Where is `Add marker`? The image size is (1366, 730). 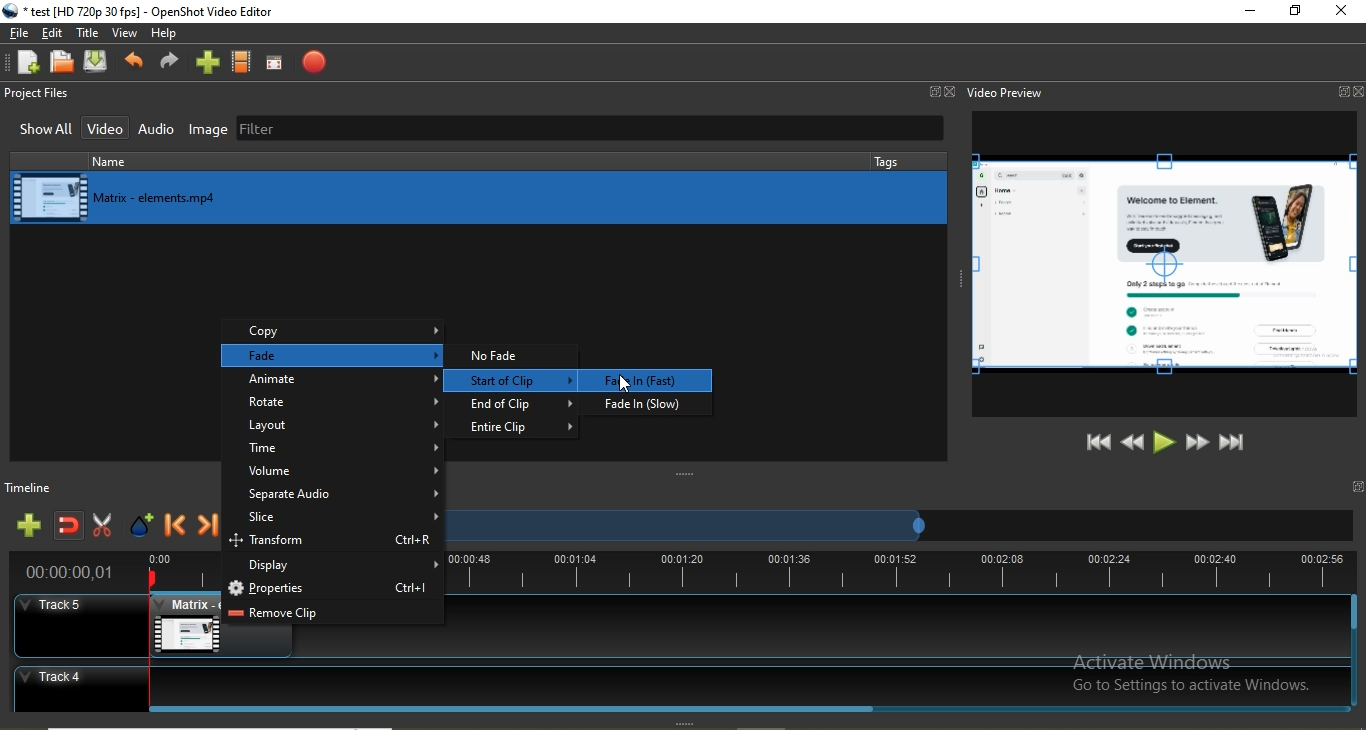 Add marker is located at coordinates (142, 529).